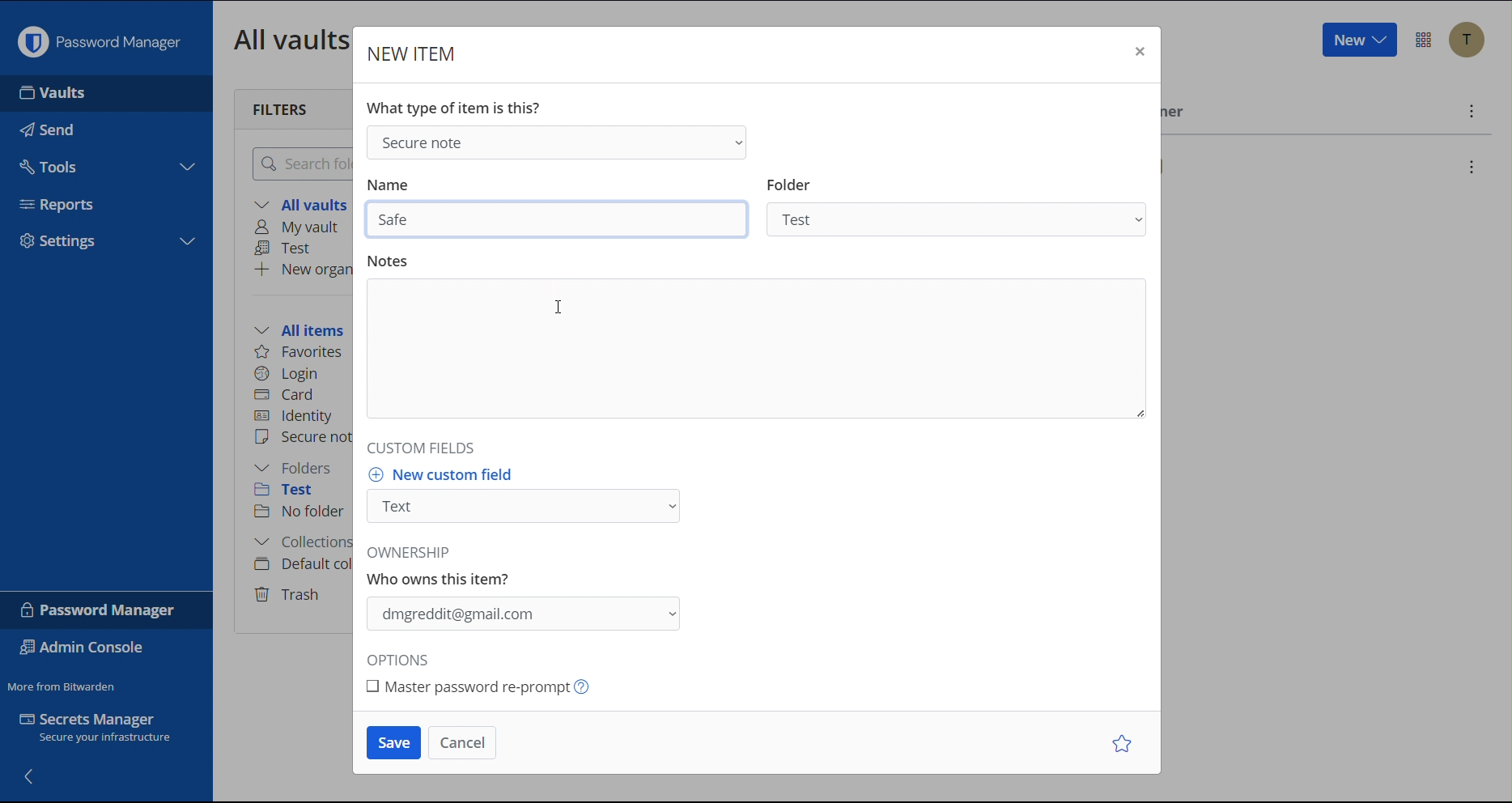 Image resolution: width=1512 pixels, height=803 pixels. I want to click on folder, so click(789, 184).